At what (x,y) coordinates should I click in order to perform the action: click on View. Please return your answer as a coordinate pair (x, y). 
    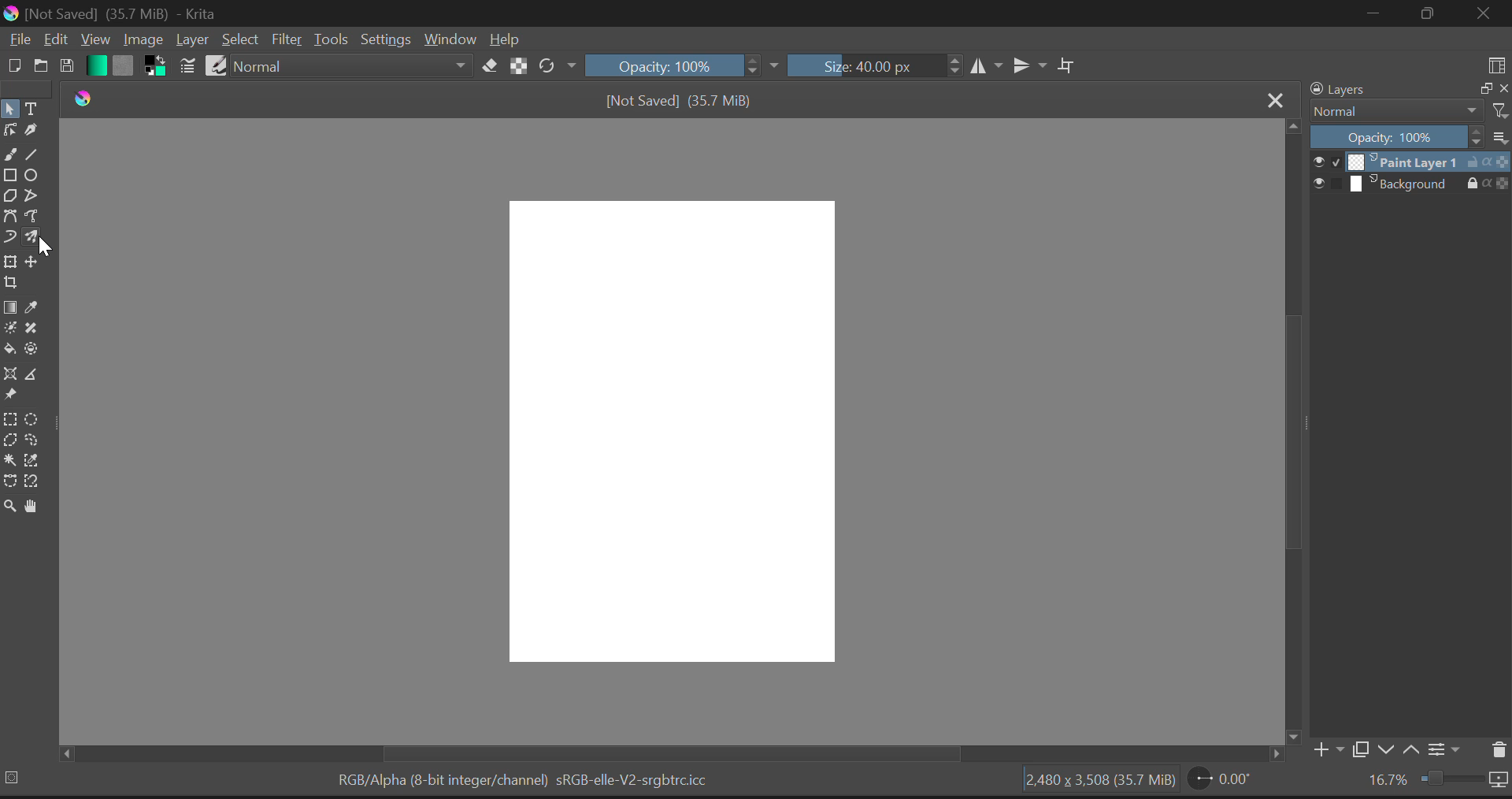
    Looking at the image, I should click on (94, 39).